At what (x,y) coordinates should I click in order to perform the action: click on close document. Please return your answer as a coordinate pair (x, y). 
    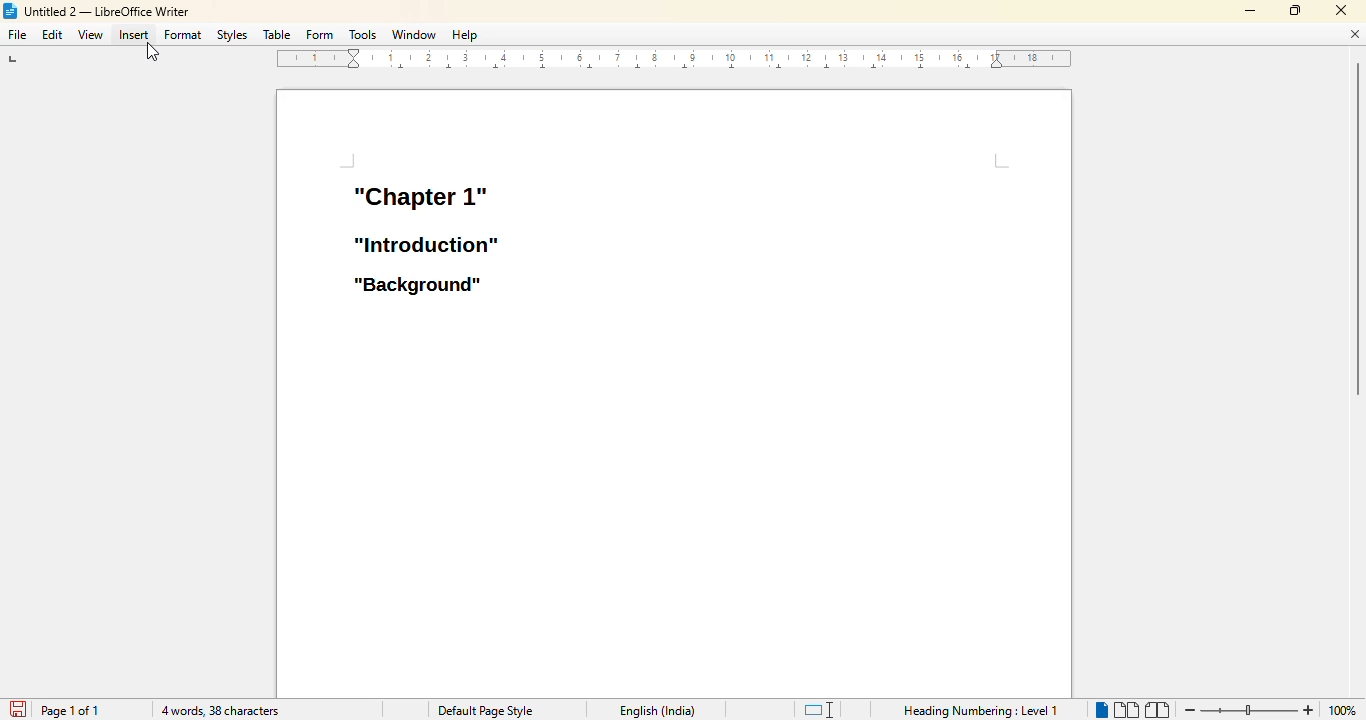
    Looking at the image, I should click on (1354, 34).